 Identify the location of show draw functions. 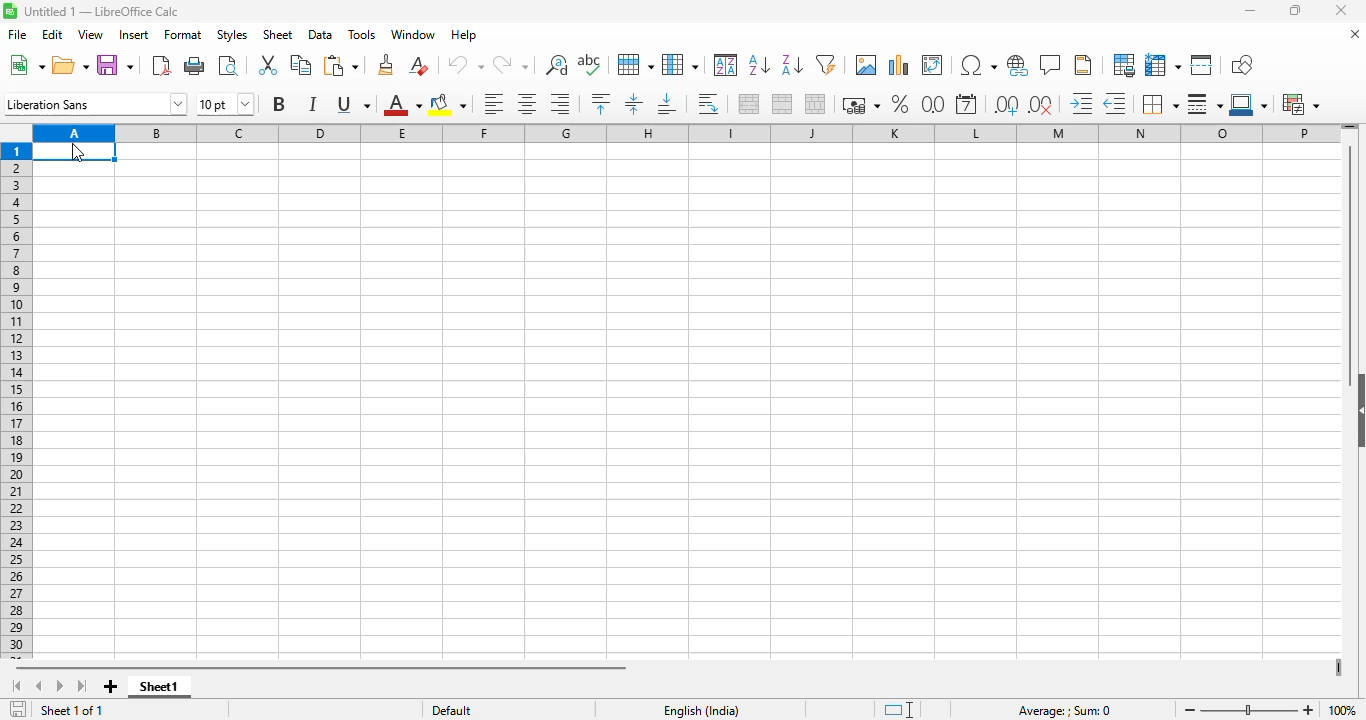
(1240, 64).